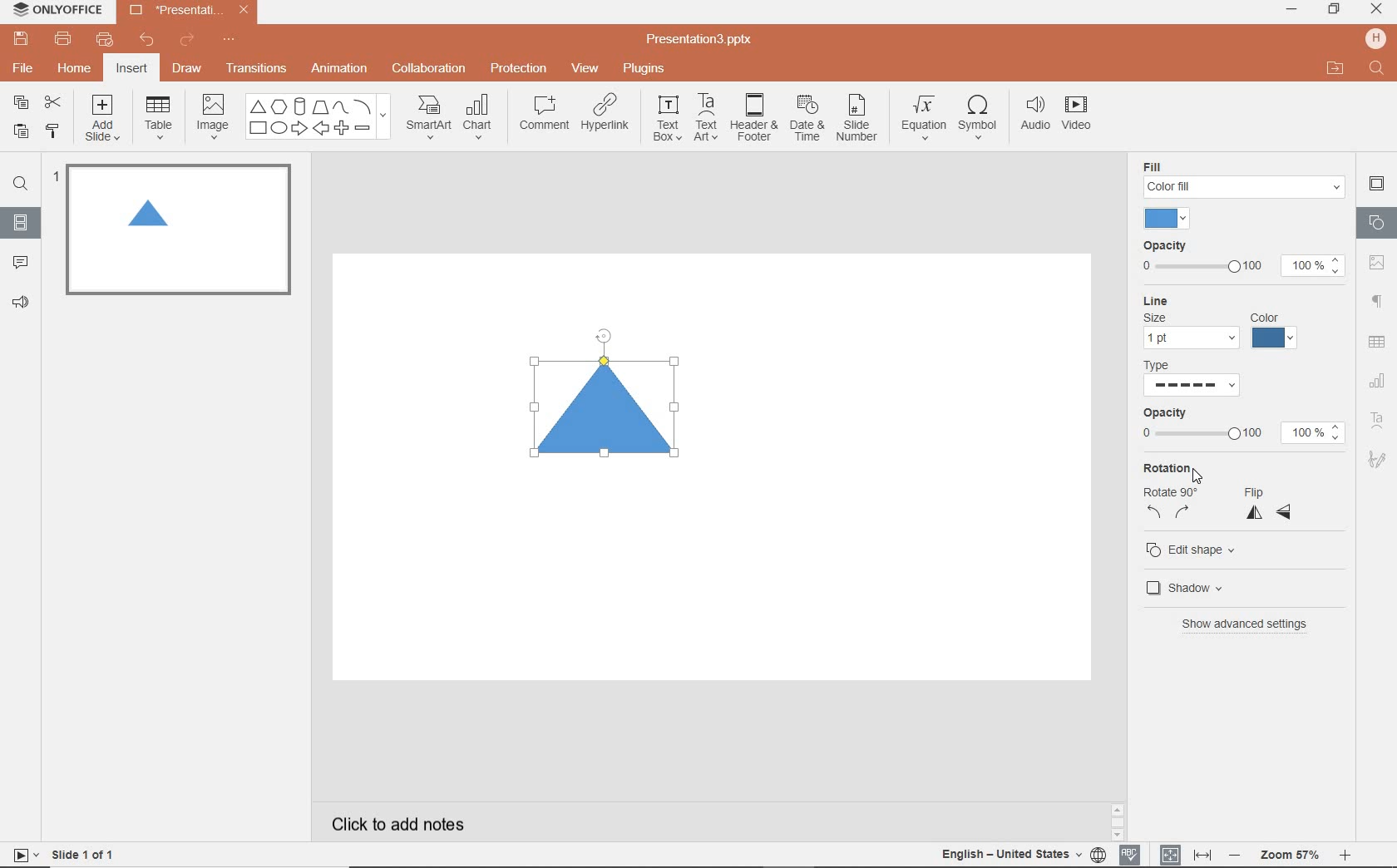 This screenshot has height=868, width=1397. I want to click on AUDIO, so click(1031, 115).